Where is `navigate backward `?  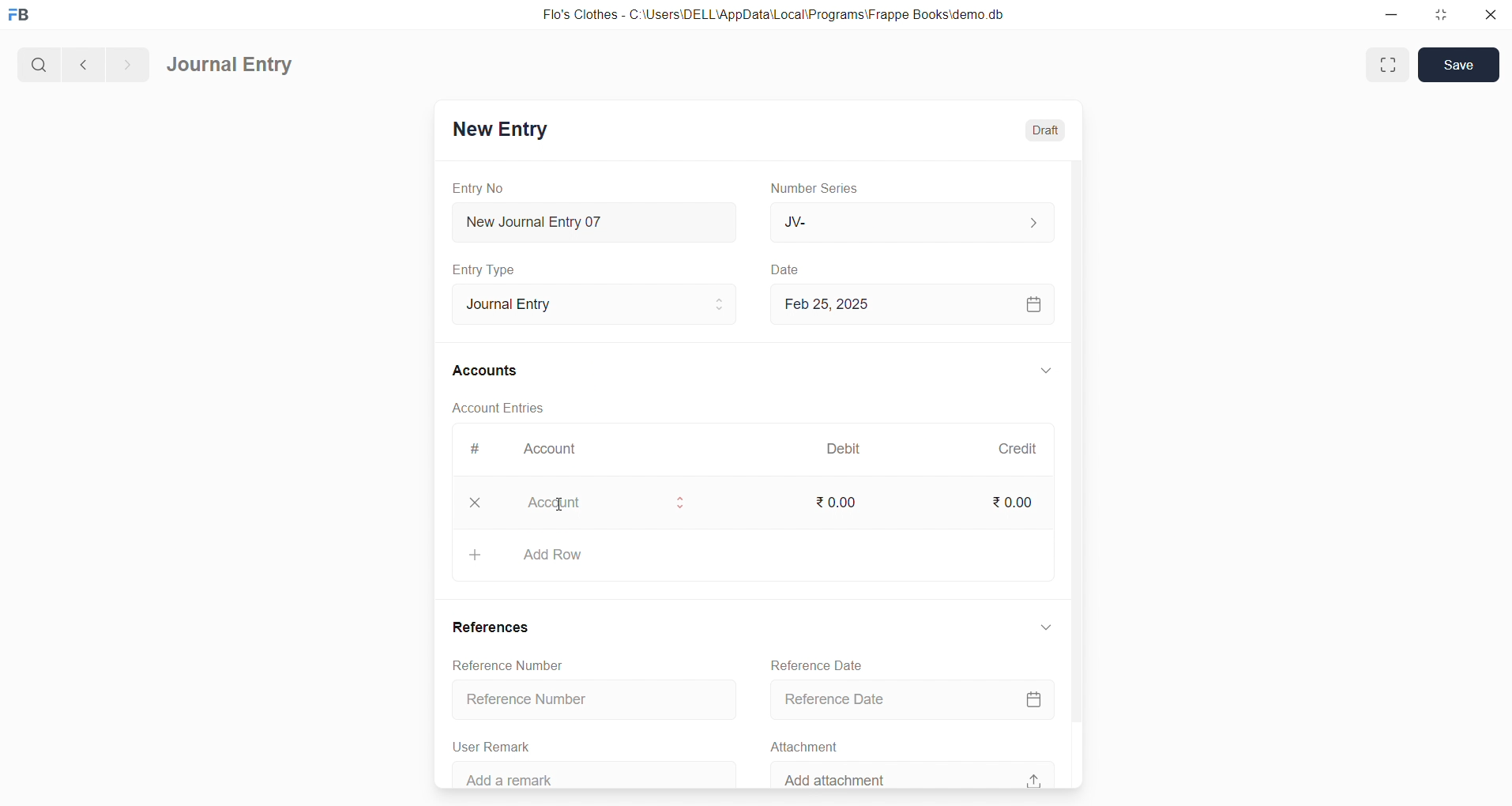
navigate backward  is located at coordinates (81, 62).